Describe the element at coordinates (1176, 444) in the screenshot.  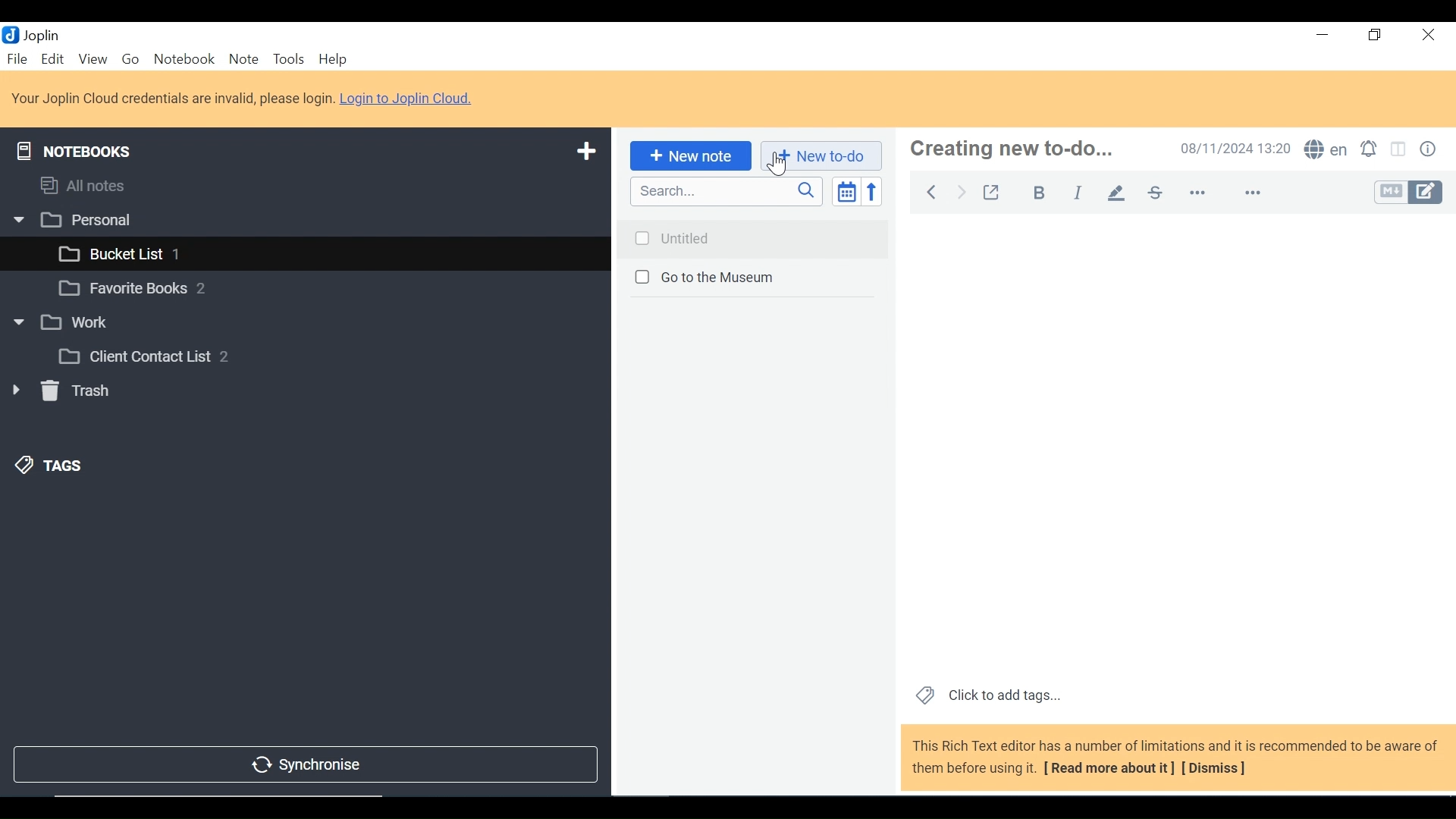
I see `Note View` at that location.